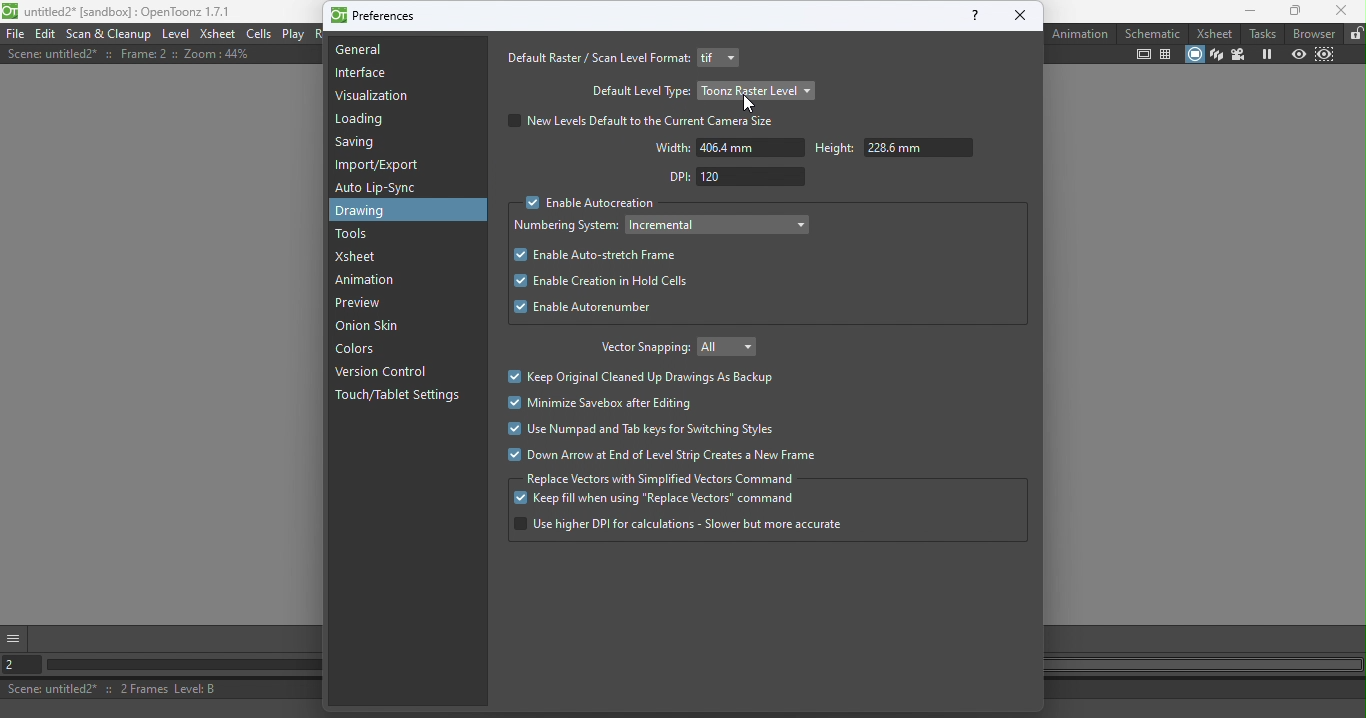  What do you see at coordinates (361, 351) in the screenshot?
I see `colors` at bounding box center [361, 351].